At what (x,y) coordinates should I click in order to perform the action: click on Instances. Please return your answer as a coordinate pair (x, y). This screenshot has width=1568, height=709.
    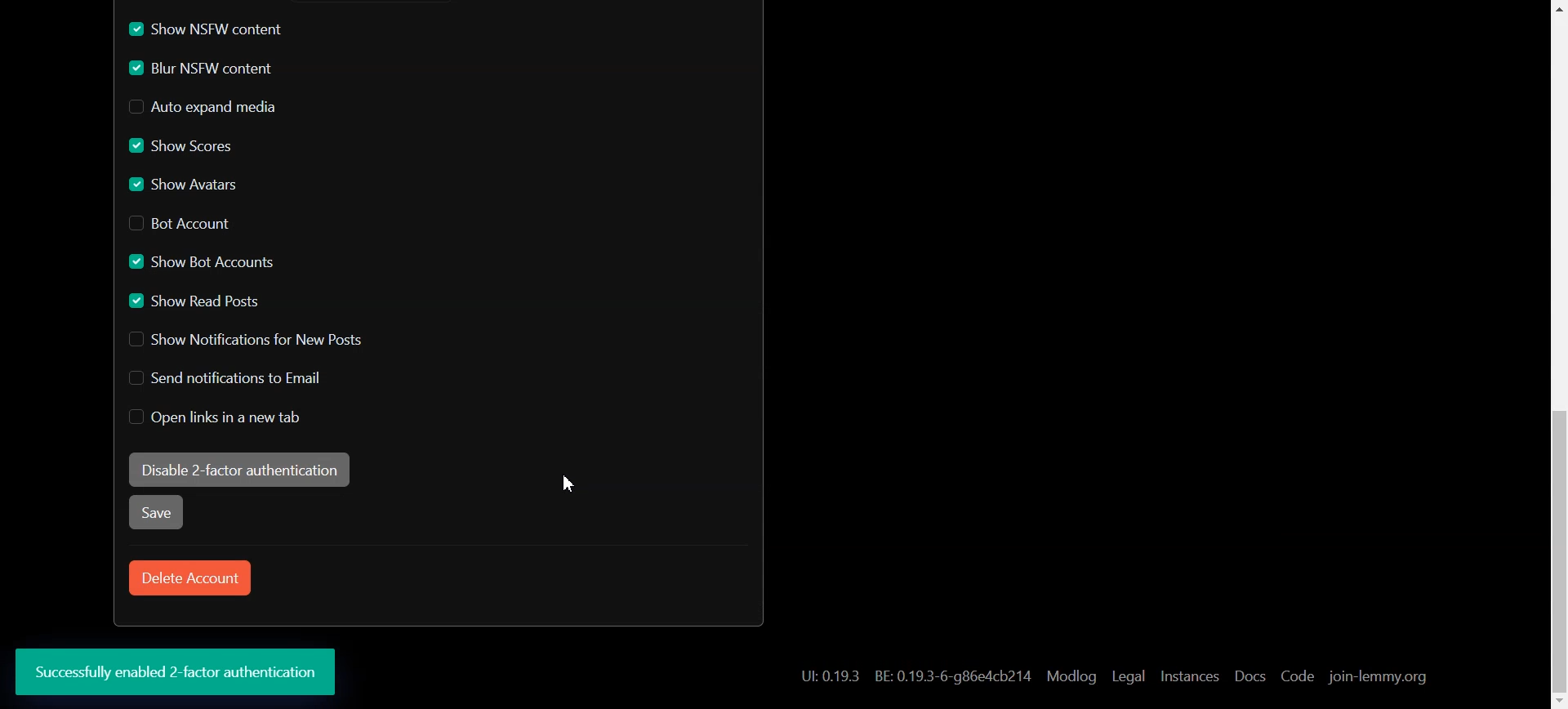
    Looking at the image, I should click on (1190, 676).